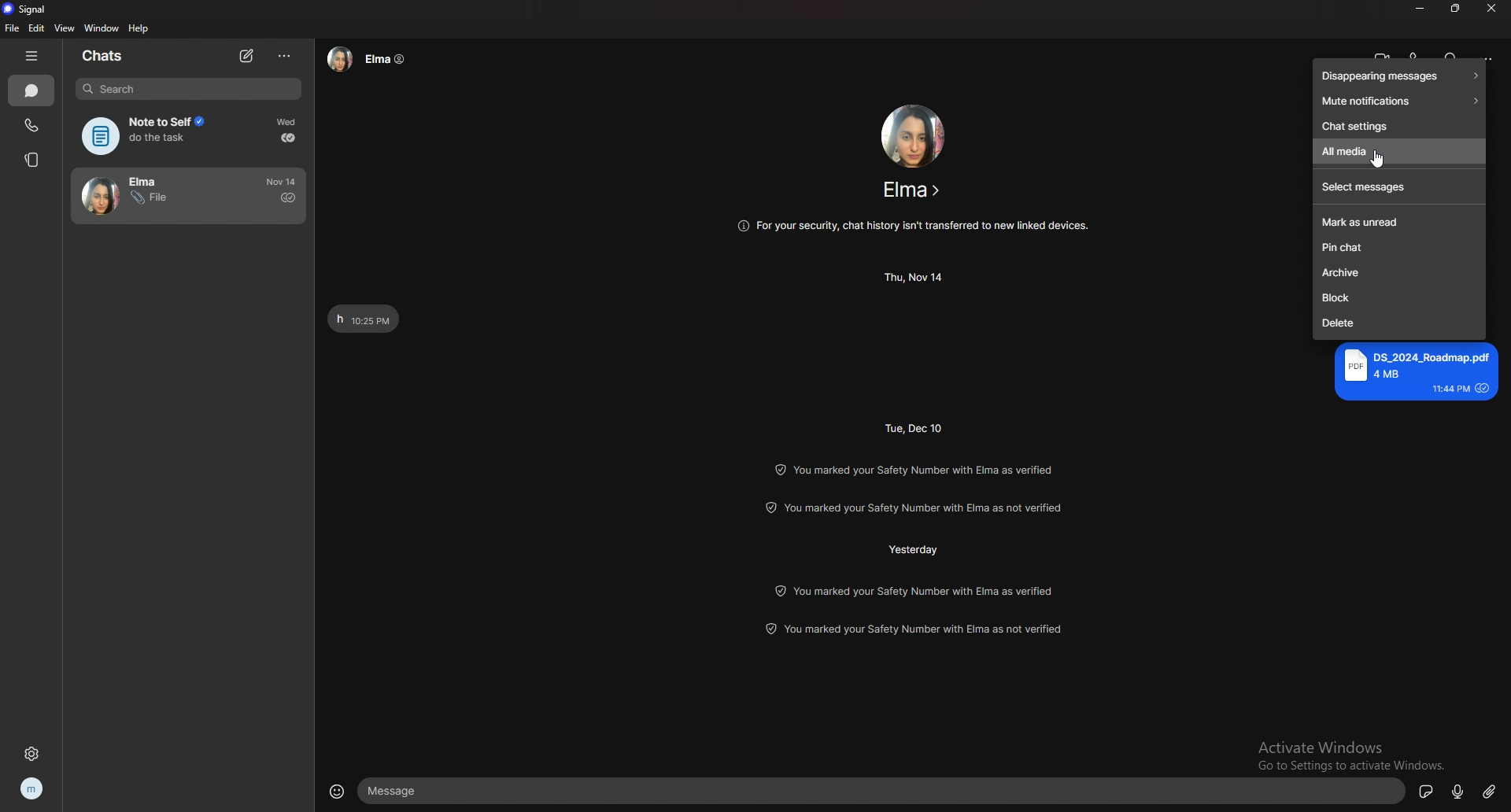  I want to click on block, so click(1398, 299).